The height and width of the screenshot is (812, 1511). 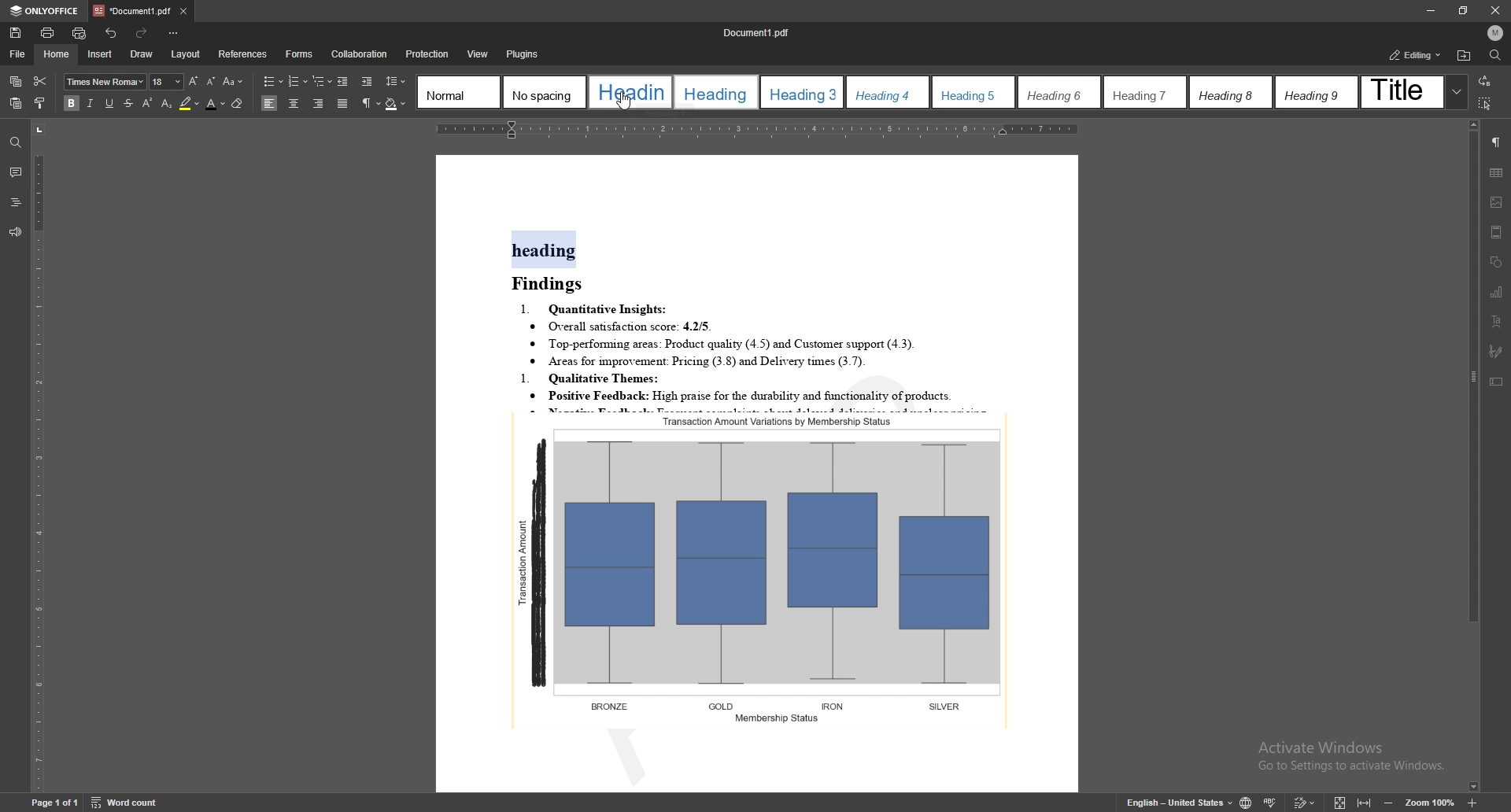 I want to click on header and footer, so click(x=1496, y=232).